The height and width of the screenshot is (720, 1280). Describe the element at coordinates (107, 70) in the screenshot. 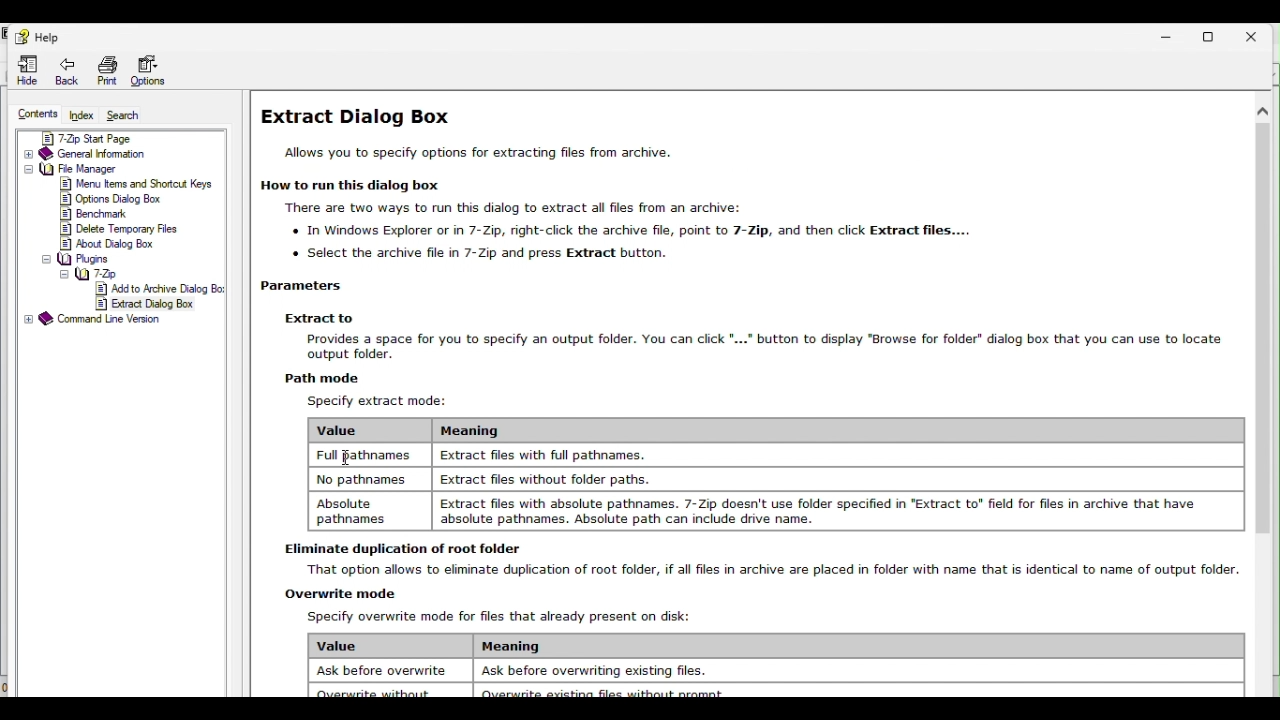

I see `print` at that location.